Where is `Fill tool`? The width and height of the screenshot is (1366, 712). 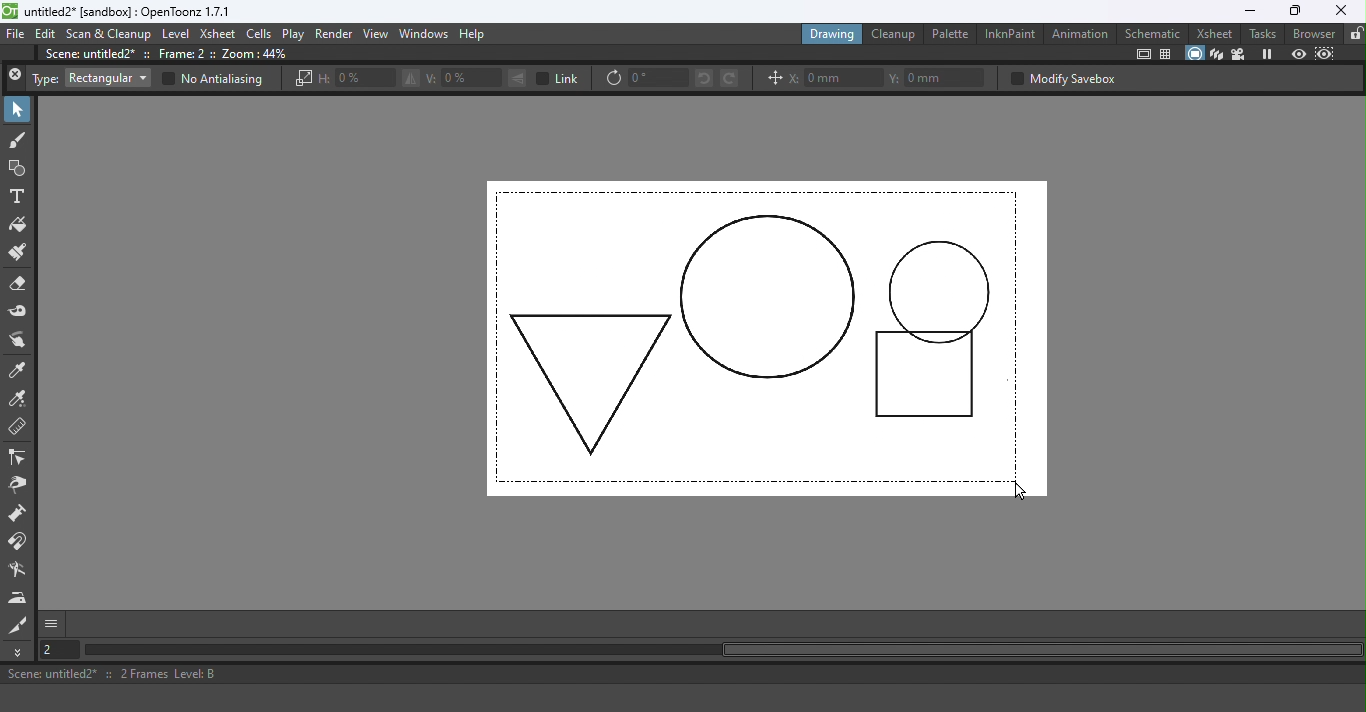
Fill tool is located at coordinates (19, 225).